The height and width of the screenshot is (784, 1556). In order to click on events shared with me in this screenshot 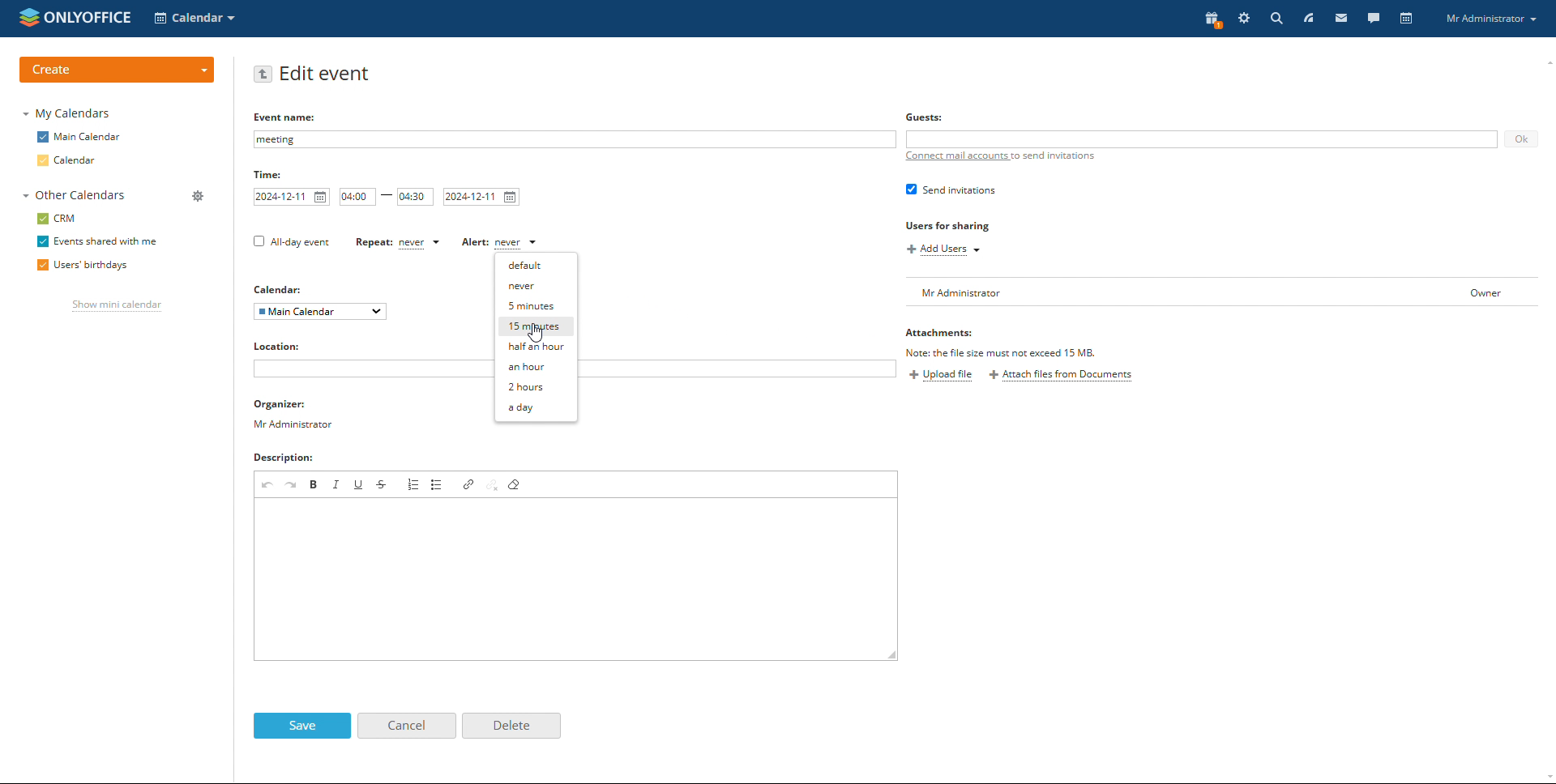, I will do `click(100, 241)`.